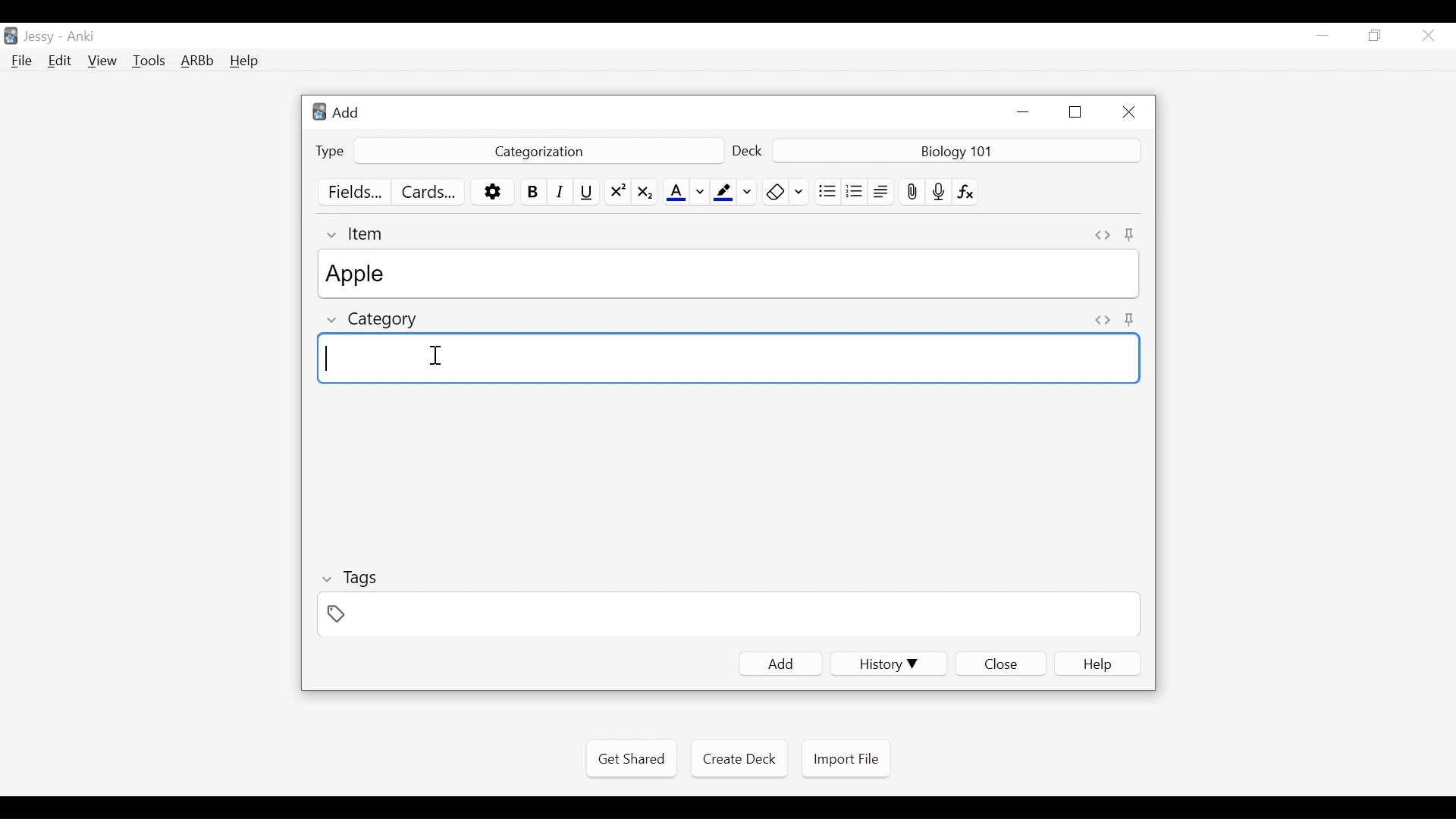  I want to click on Category Field, so click(729, 360).